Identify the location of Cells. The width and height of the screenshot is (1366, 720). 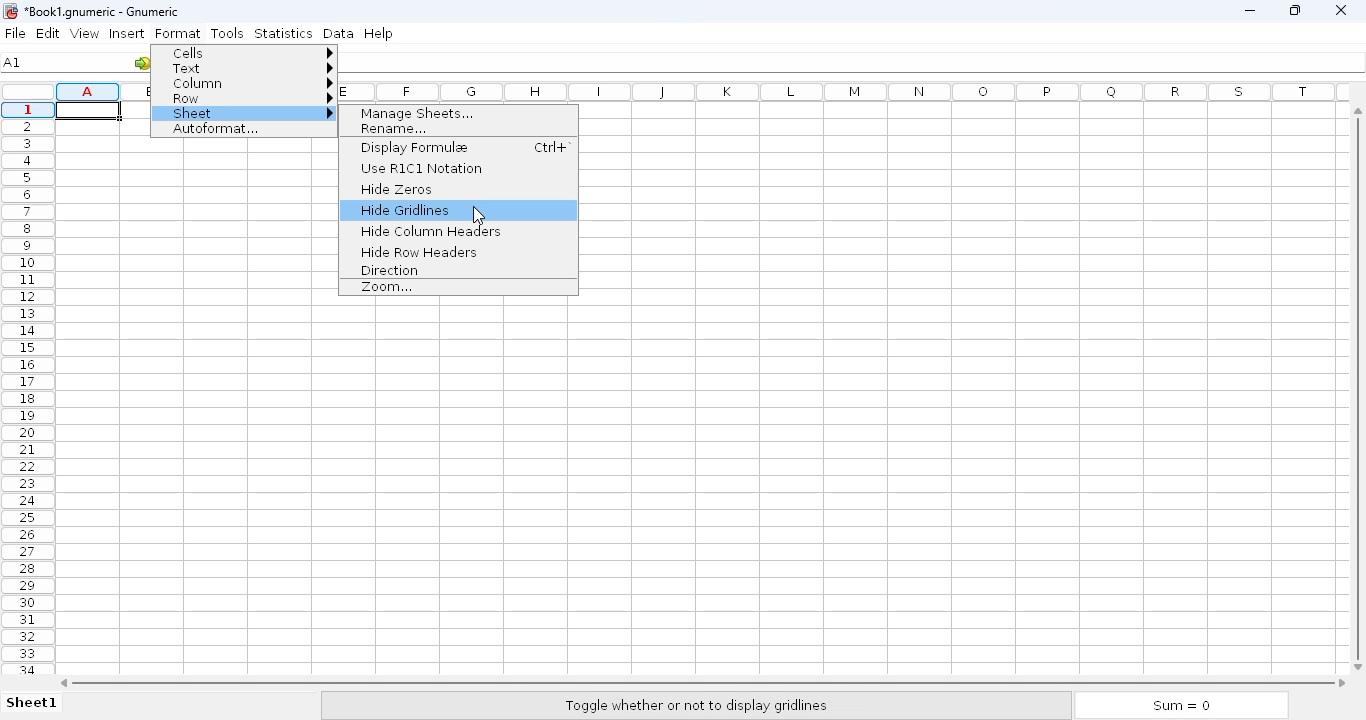
(692, 487).